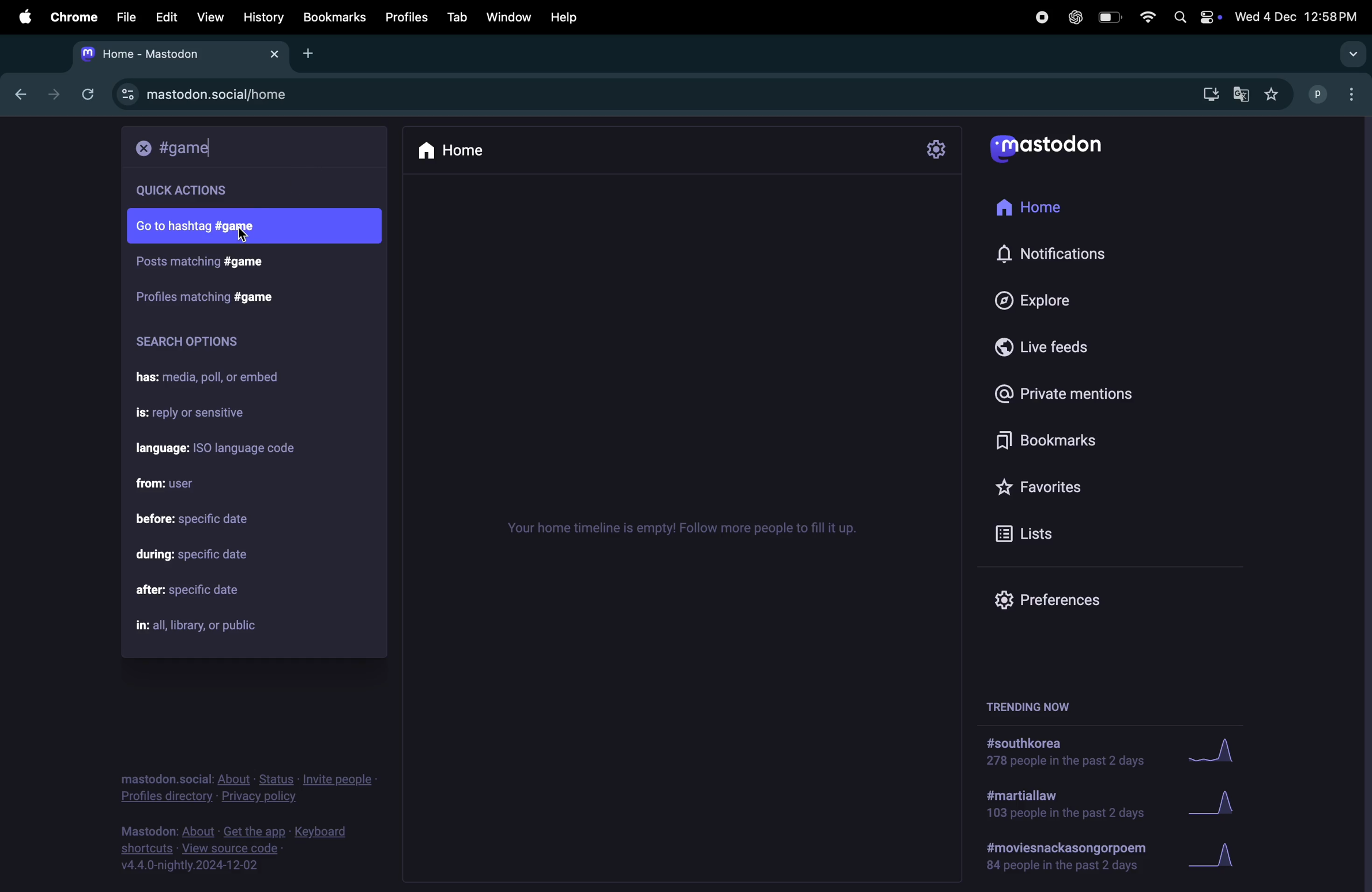 Image resolution: width=1372 pixels, height=892 pixels. What do you see at coordinates (198, 263) in the screenshot?
I see `#game` at bounding box center [198, 263].